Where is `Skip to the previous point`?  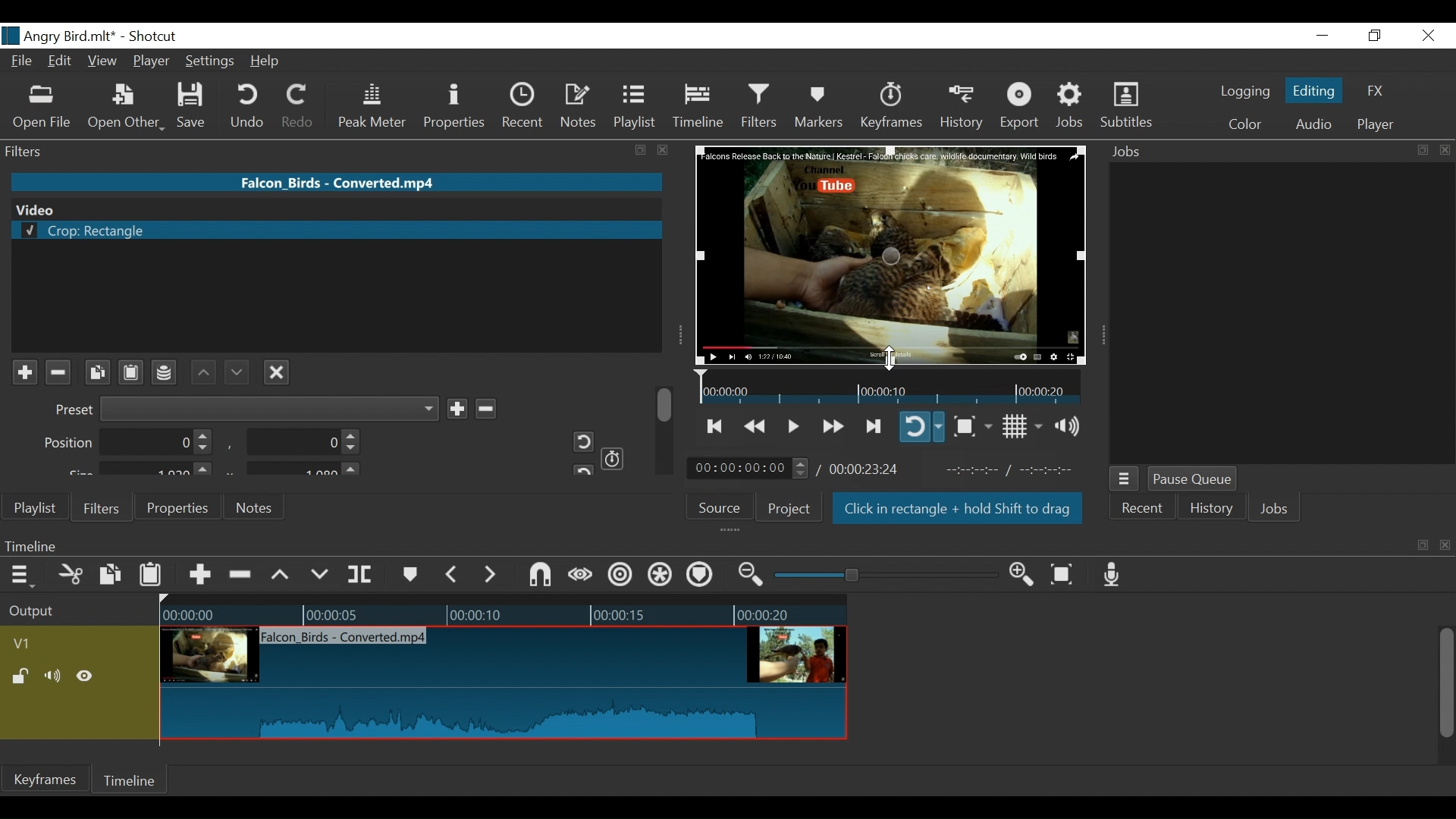 Skip to the previous point is located at coordinates (716, 426).